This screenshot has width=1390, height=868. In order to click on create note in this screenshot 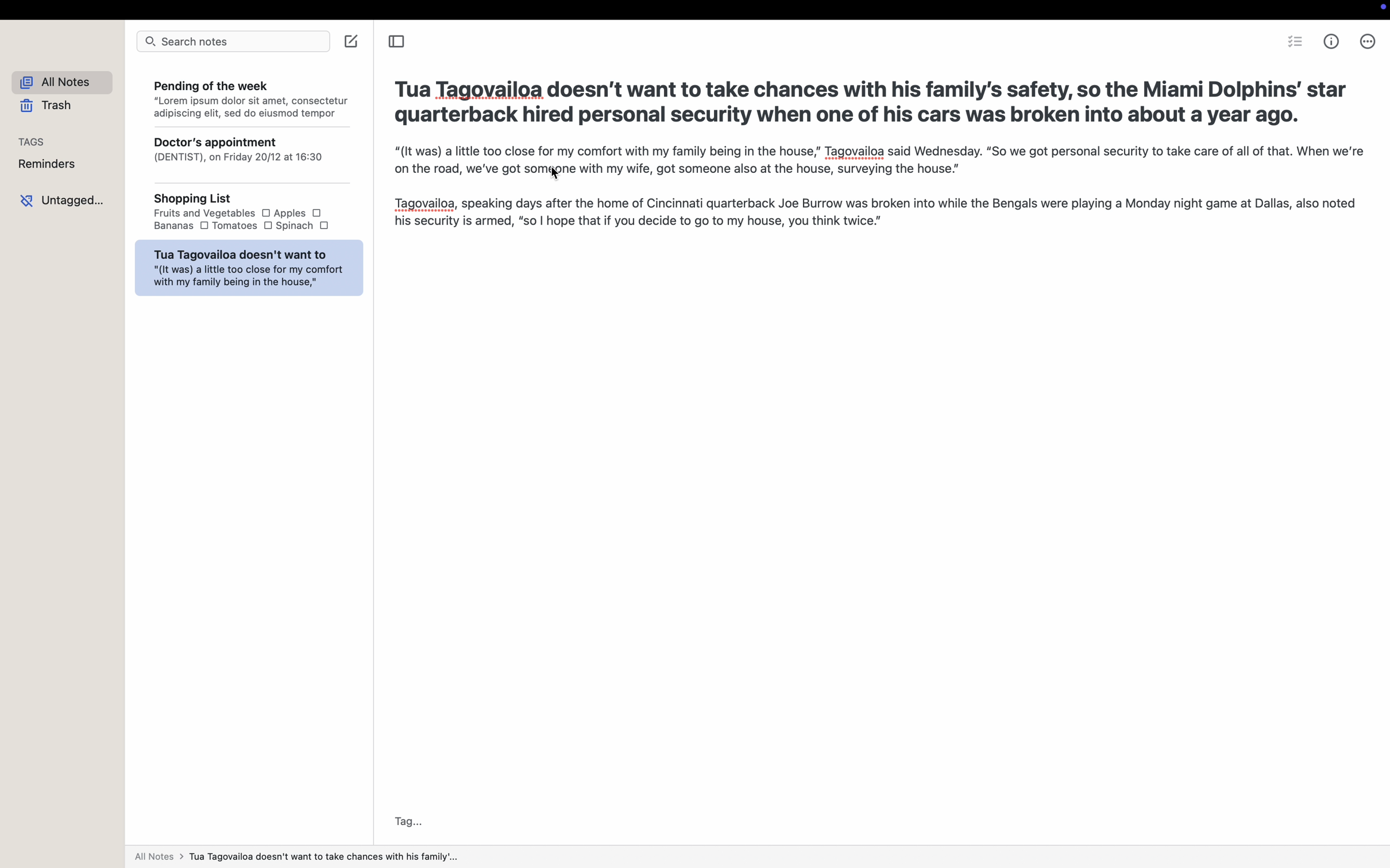, I will do `click(352, 42)`.